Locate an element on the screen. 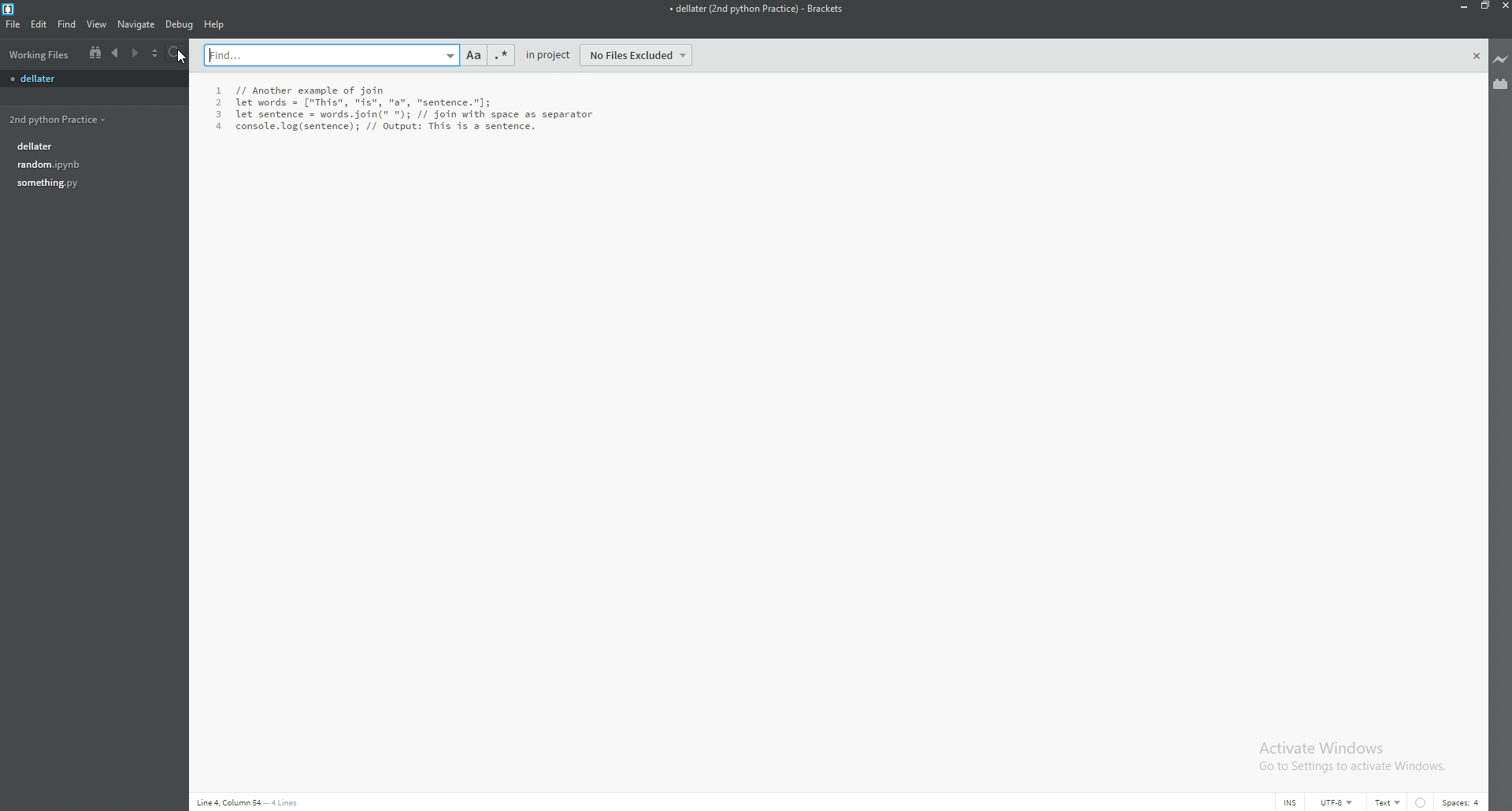  bracket is located at coordinates (11, 9).